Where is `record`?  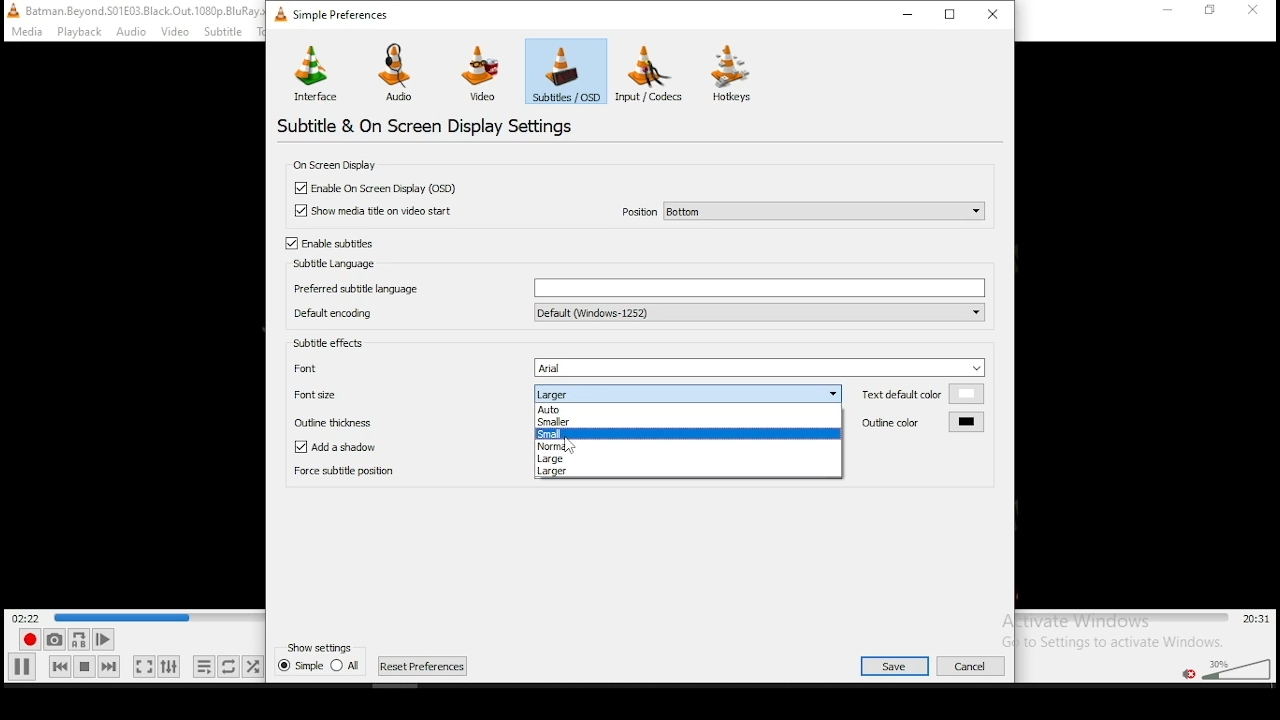 record is located at coordinates (27, 640).